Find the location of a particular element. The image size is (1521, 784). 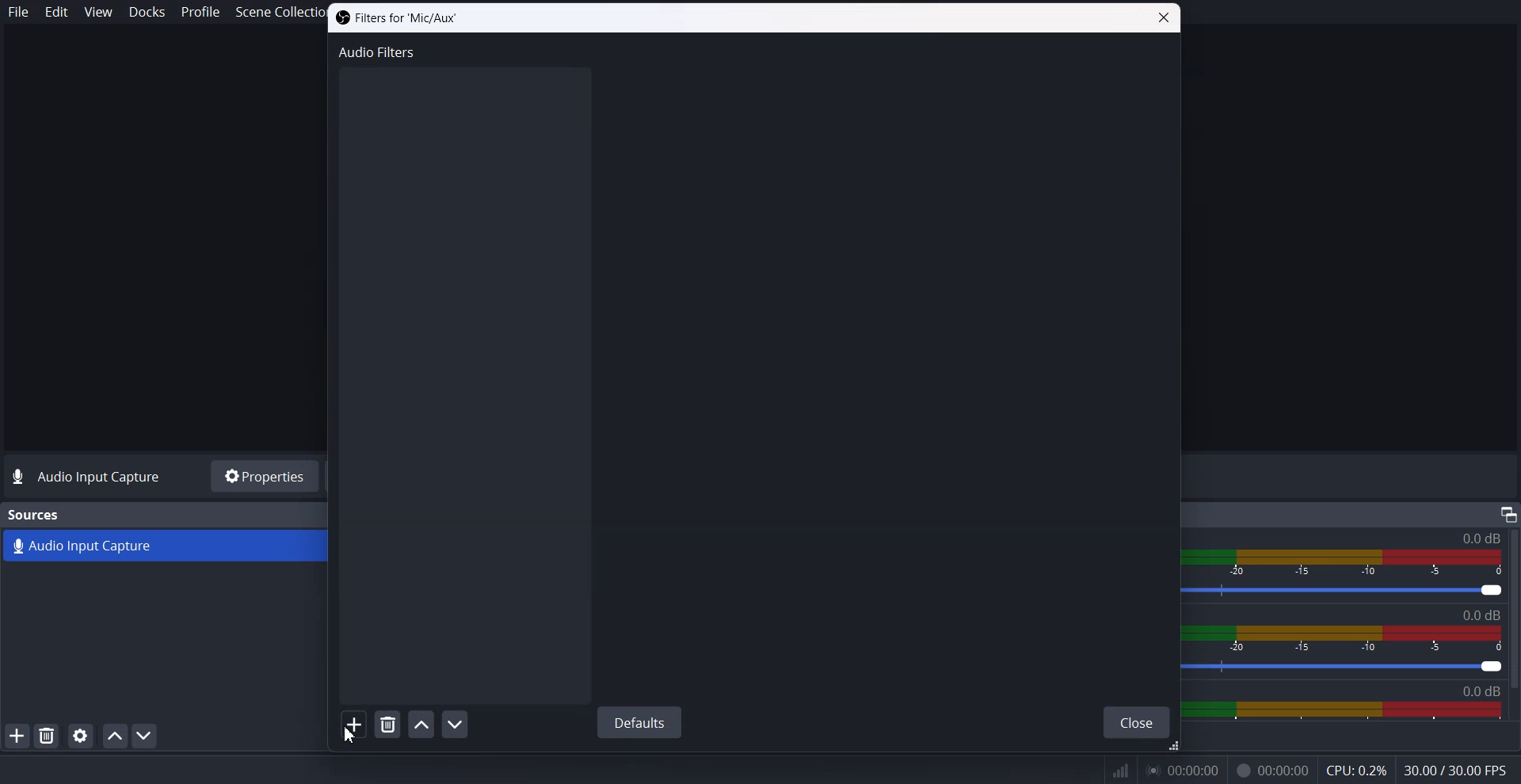

File is located at coordinates (19, 12).